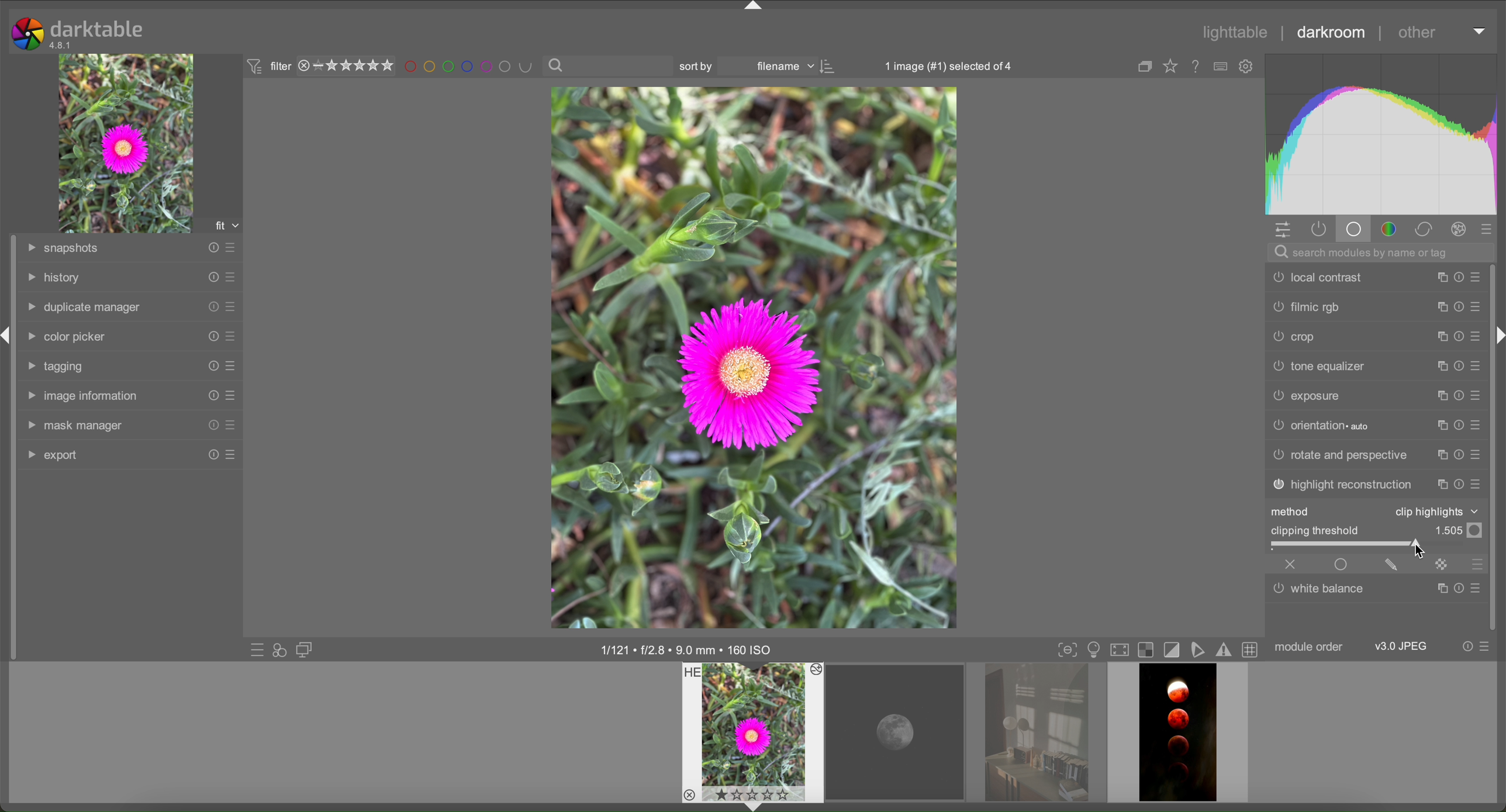 Image resolution: width=1506 pixels, height=812 pixels. Describe the element at coordinates (231, 425) in the screenshot. I see `presets` at that location.